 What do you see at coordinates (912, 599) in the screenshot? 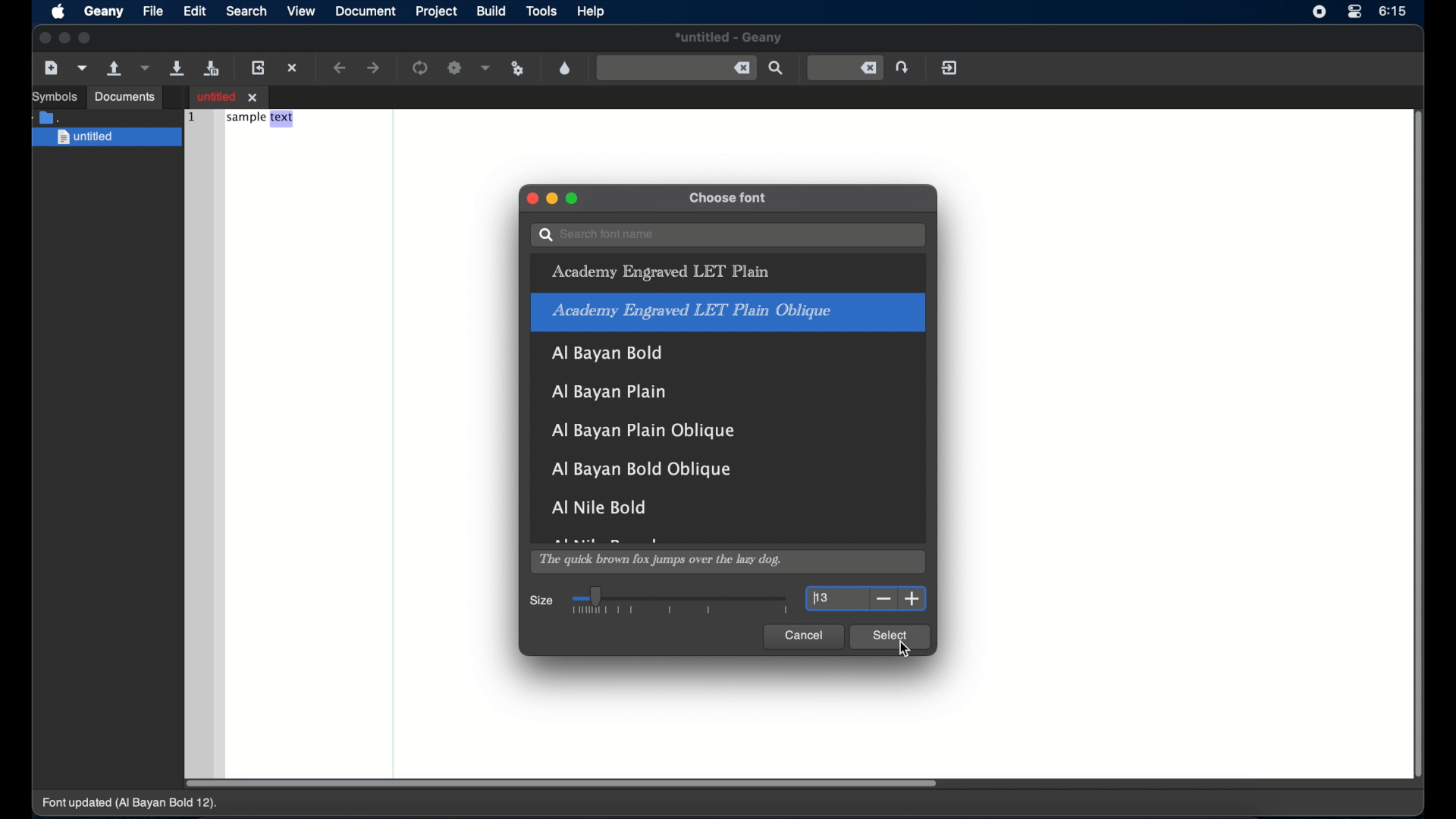
I see `increment` at bounding box center [912, 599].